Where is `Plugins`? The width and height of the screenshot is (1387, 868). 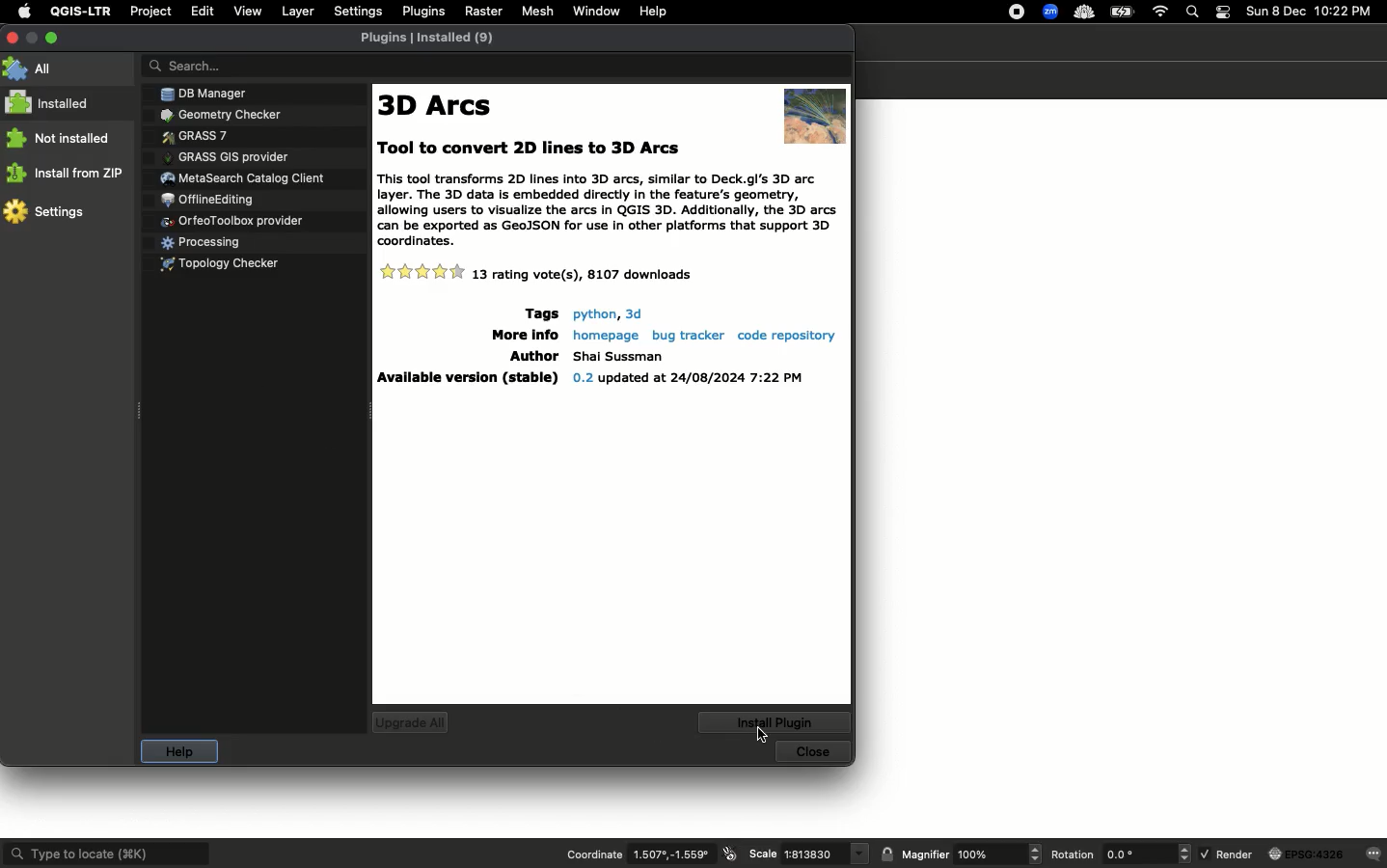
Plugins is located at coordinates (256, 92).